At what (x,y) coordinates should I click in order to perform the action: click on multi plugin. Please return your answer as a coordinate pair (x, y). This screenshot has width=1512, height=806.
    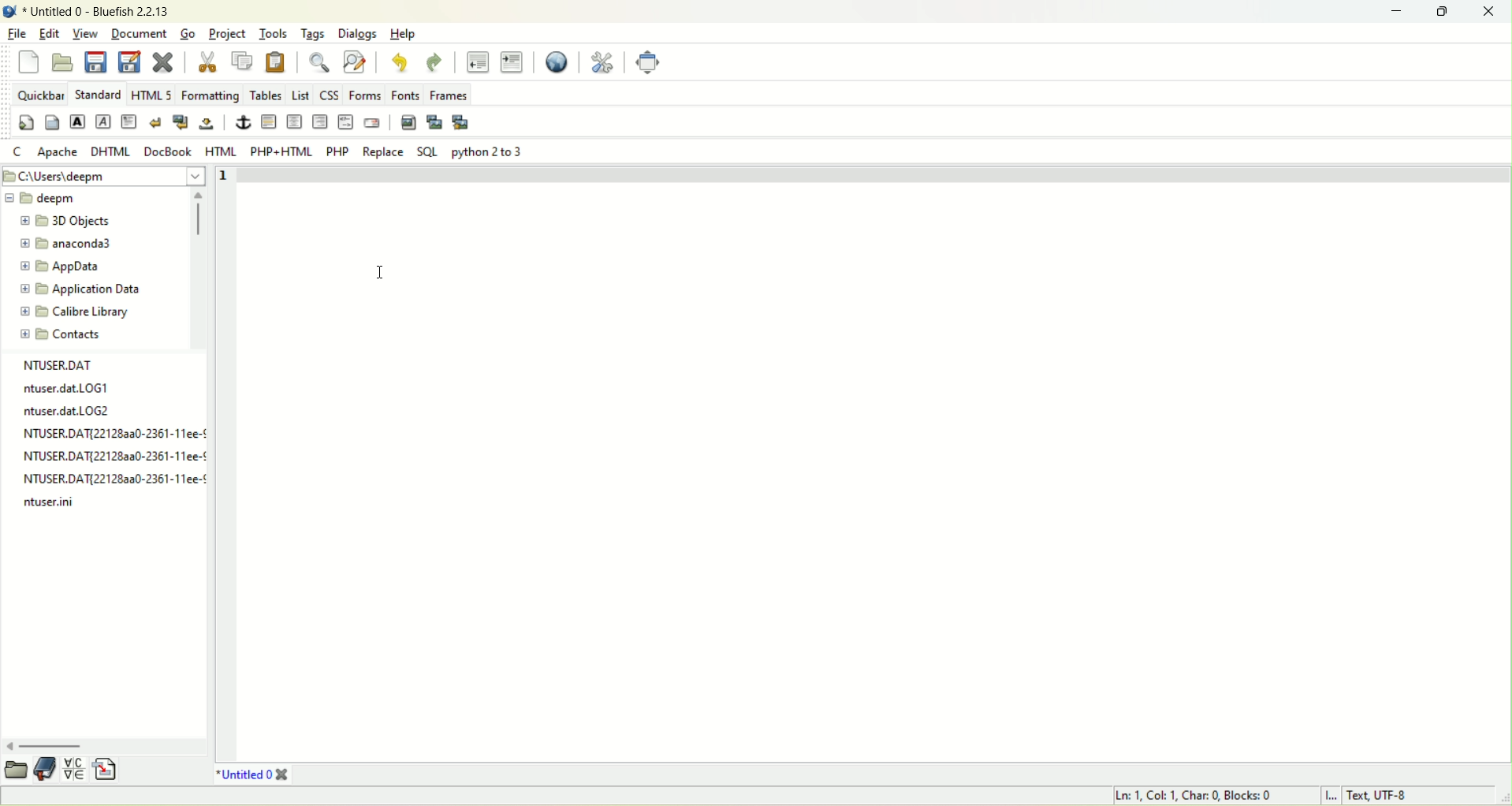
    Looking at the image, I should click on (461, 123).